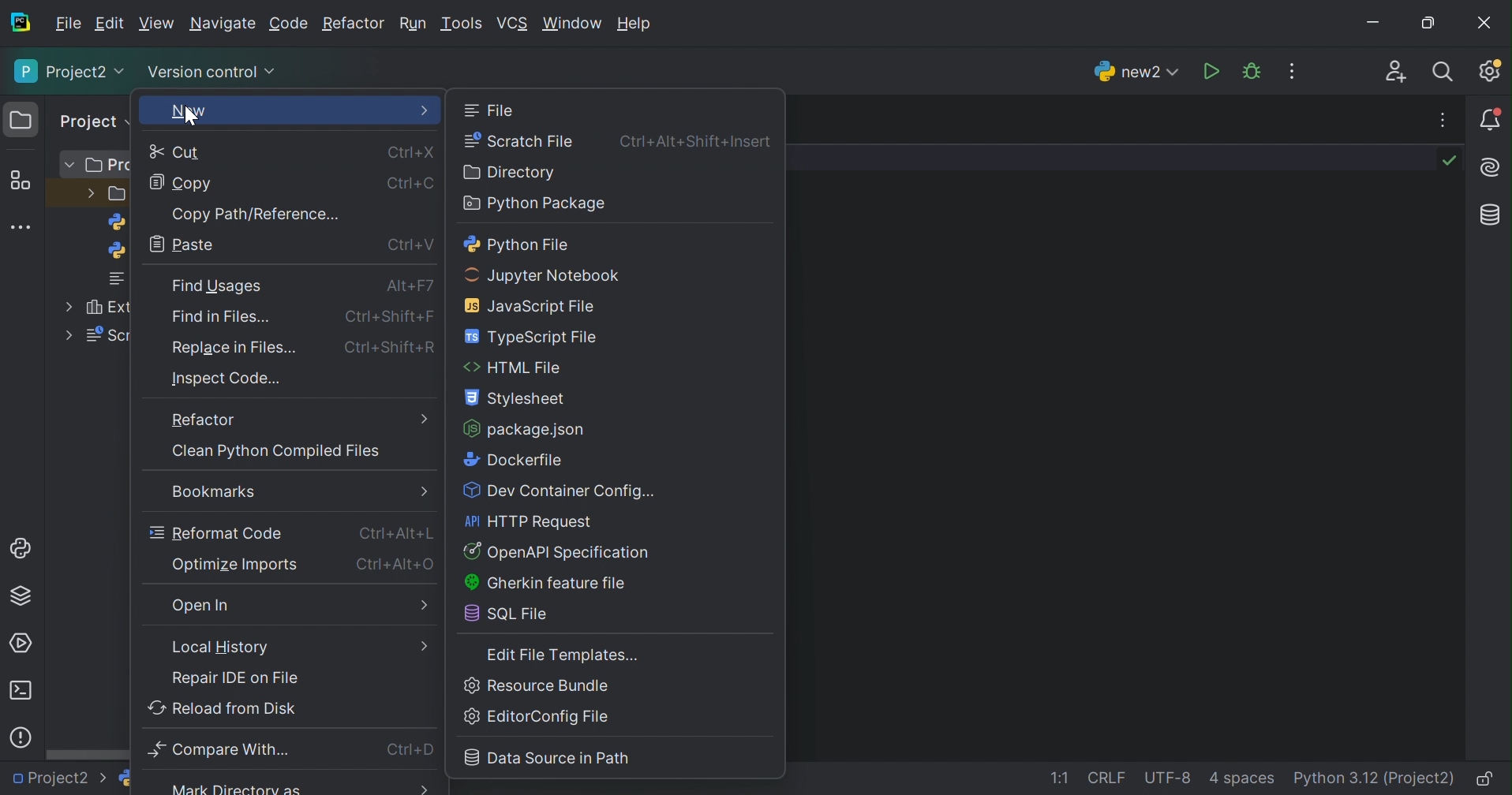  What do you see at coordinates (425, 111) in the screenshot?
I see `More` at bounding box center [425, 111].